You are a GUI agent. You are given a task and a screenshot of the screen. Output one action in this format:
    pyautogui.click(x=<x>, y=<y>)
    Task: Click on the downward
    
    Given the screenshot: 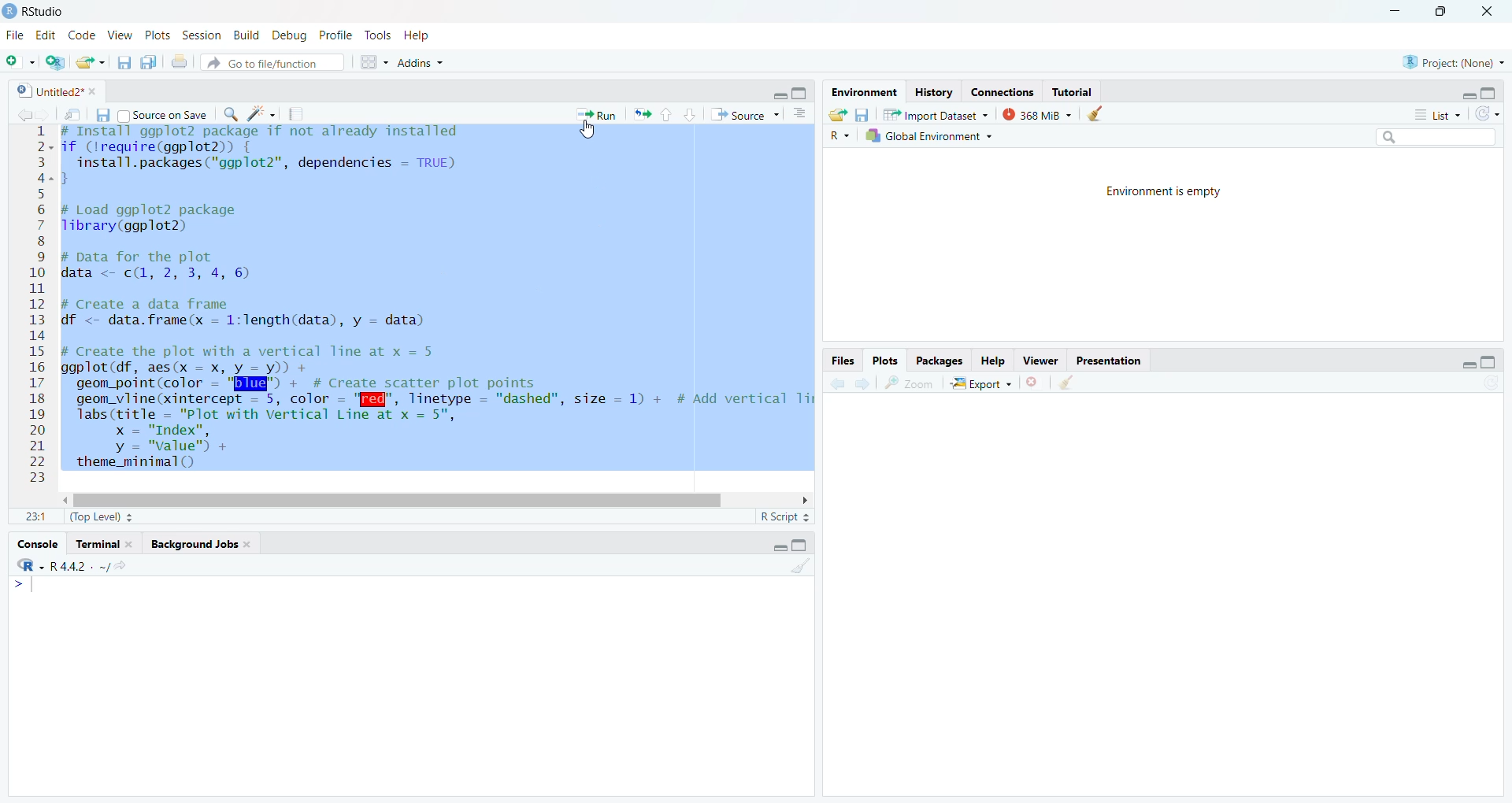 What is the action you would take?
    pyautogui.click(x=693, y=117)
    